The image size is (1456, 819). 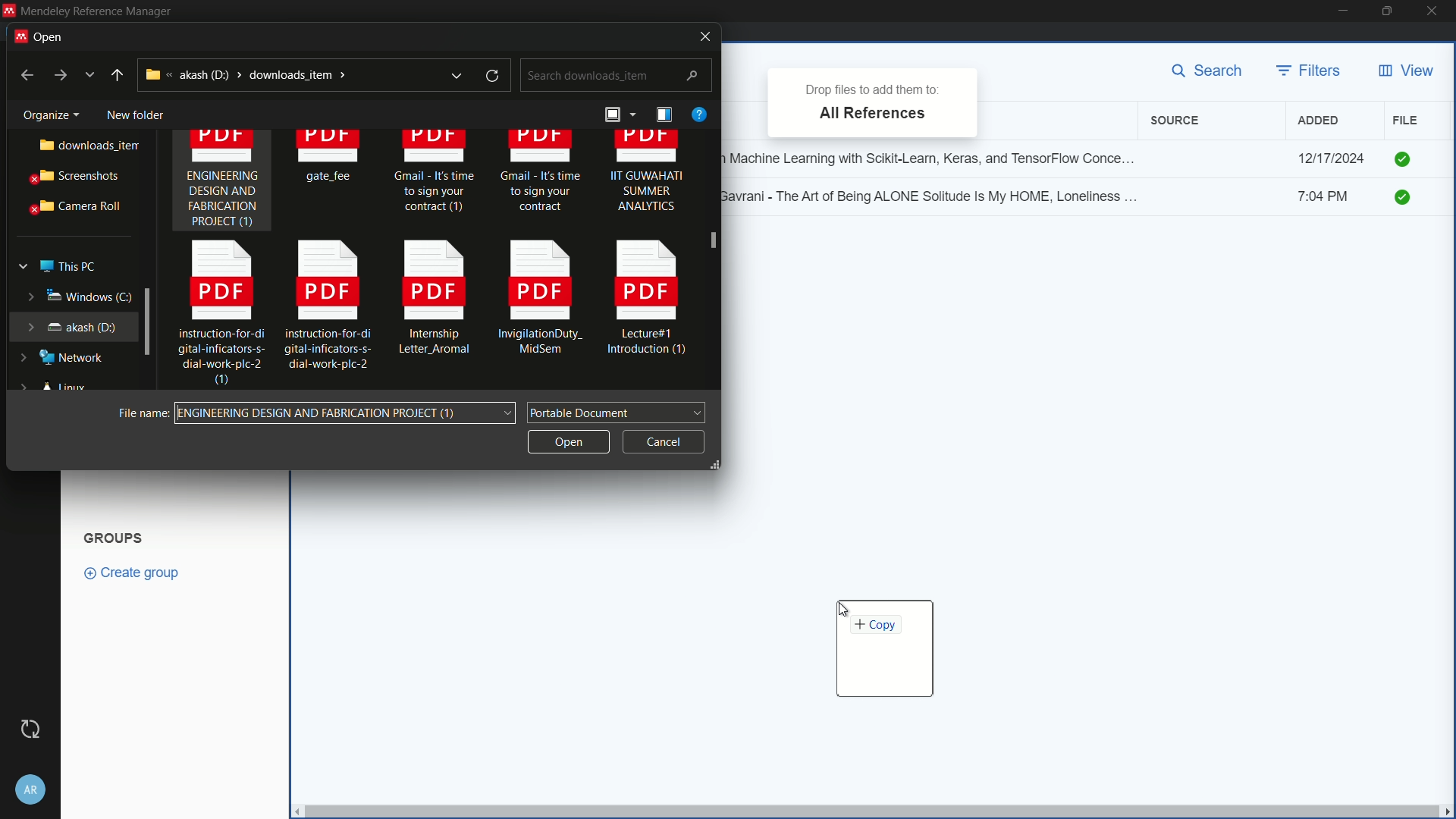 I want to click on close, so click(x=700, y=36).